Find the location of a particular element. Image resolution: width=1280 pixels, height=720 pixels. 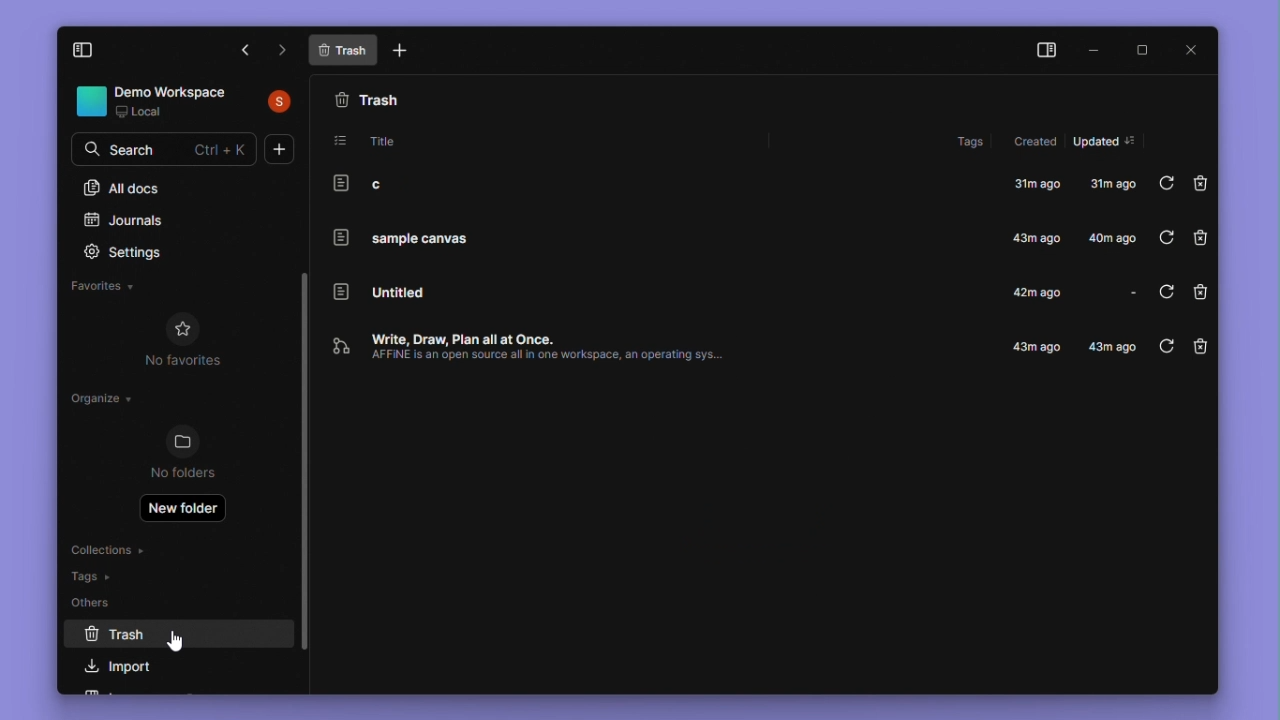

restore is located at coordinates (1167, 237).